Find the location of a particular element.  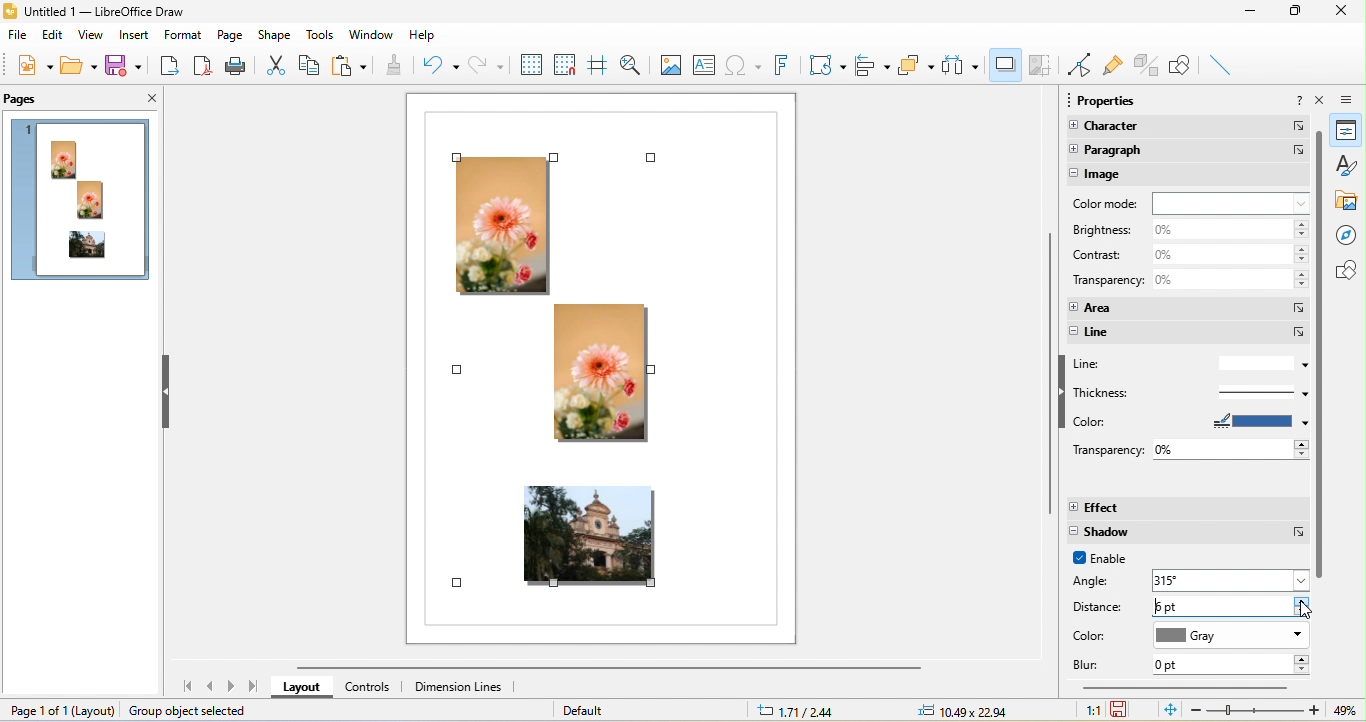

toggle point edit mode is located at coordinates (1080, 67).